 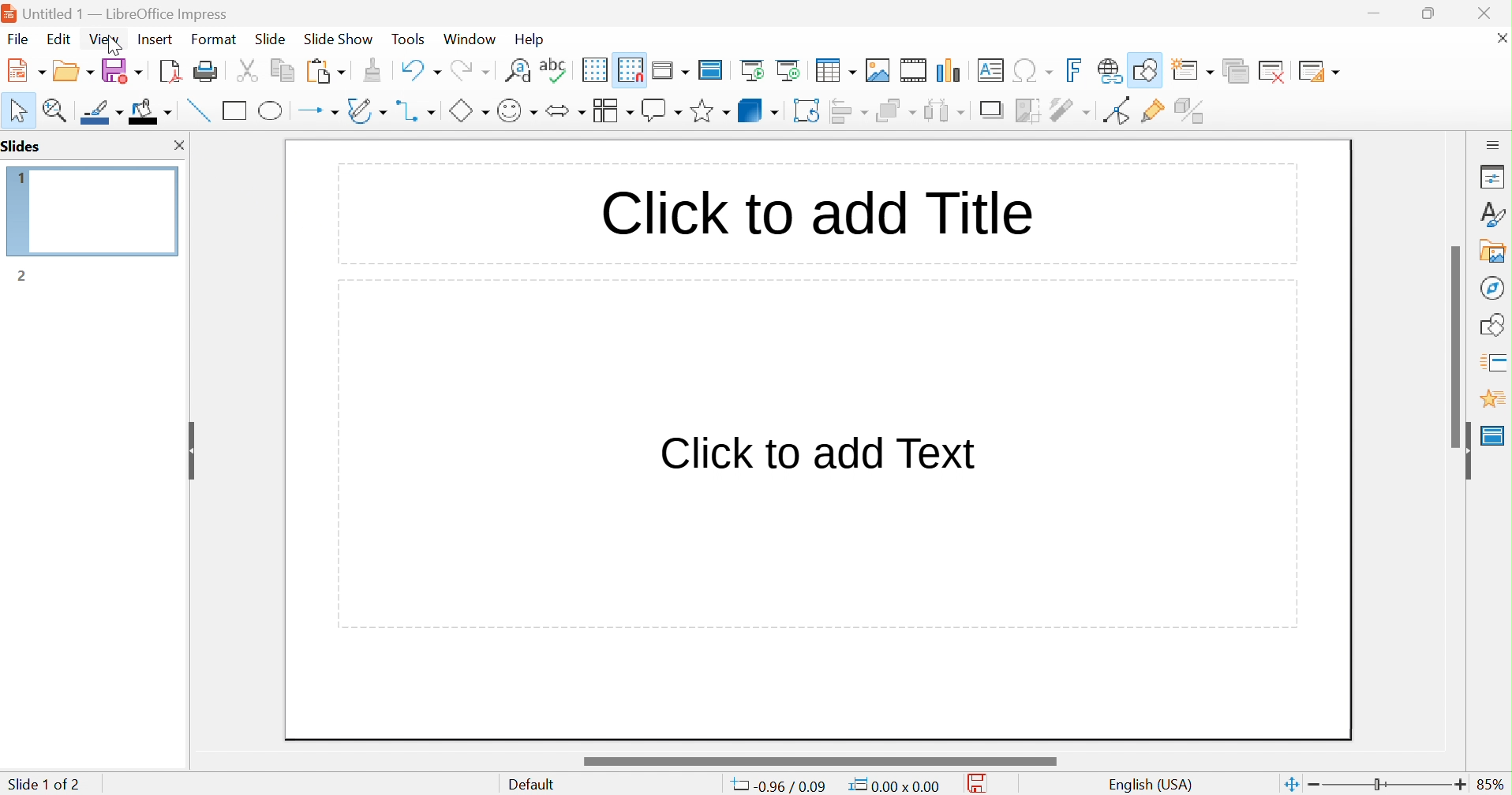 I want to click on insert, so click(x=153, y=38).